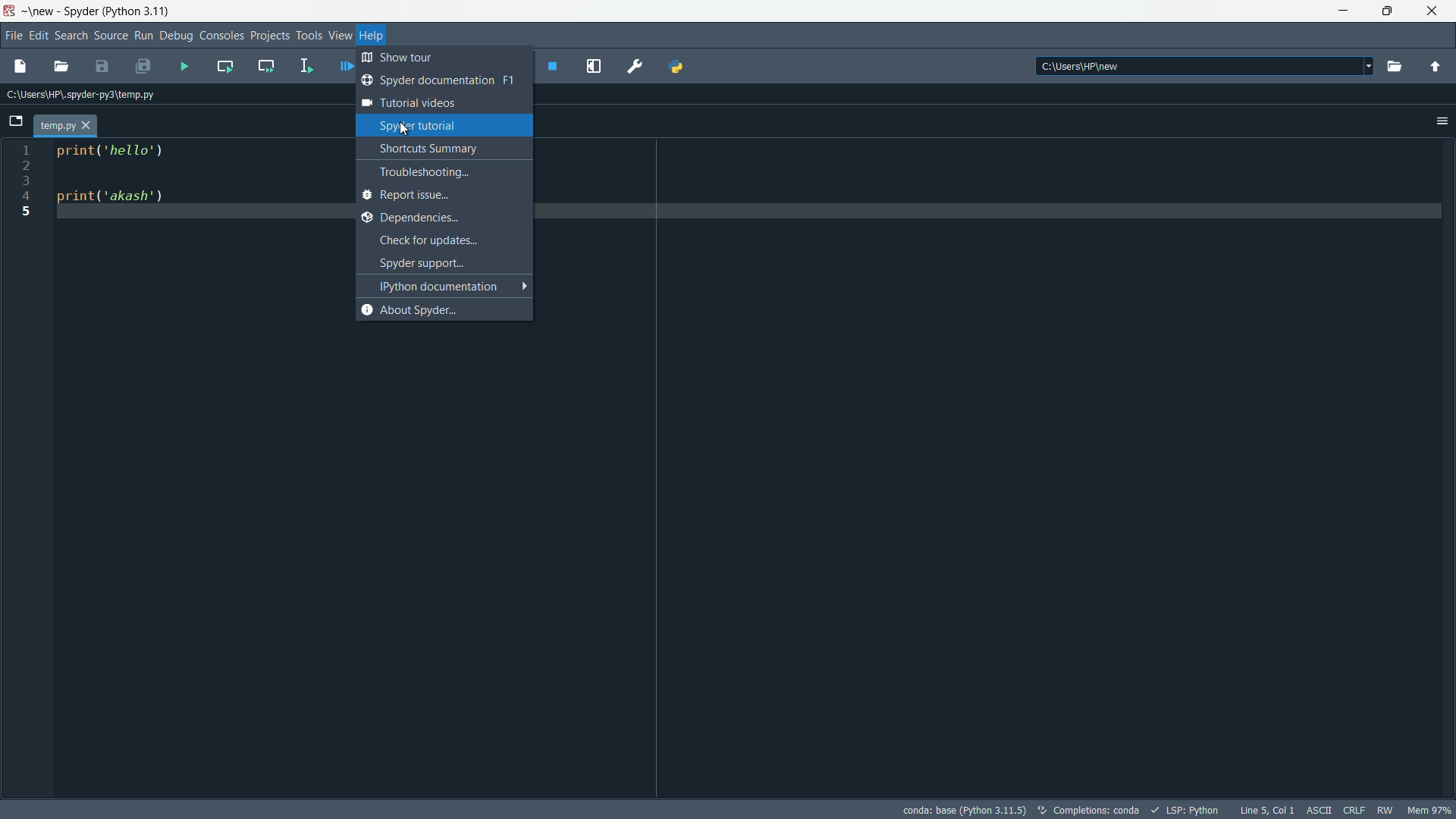  I want to click on options, so click(1442, 120).